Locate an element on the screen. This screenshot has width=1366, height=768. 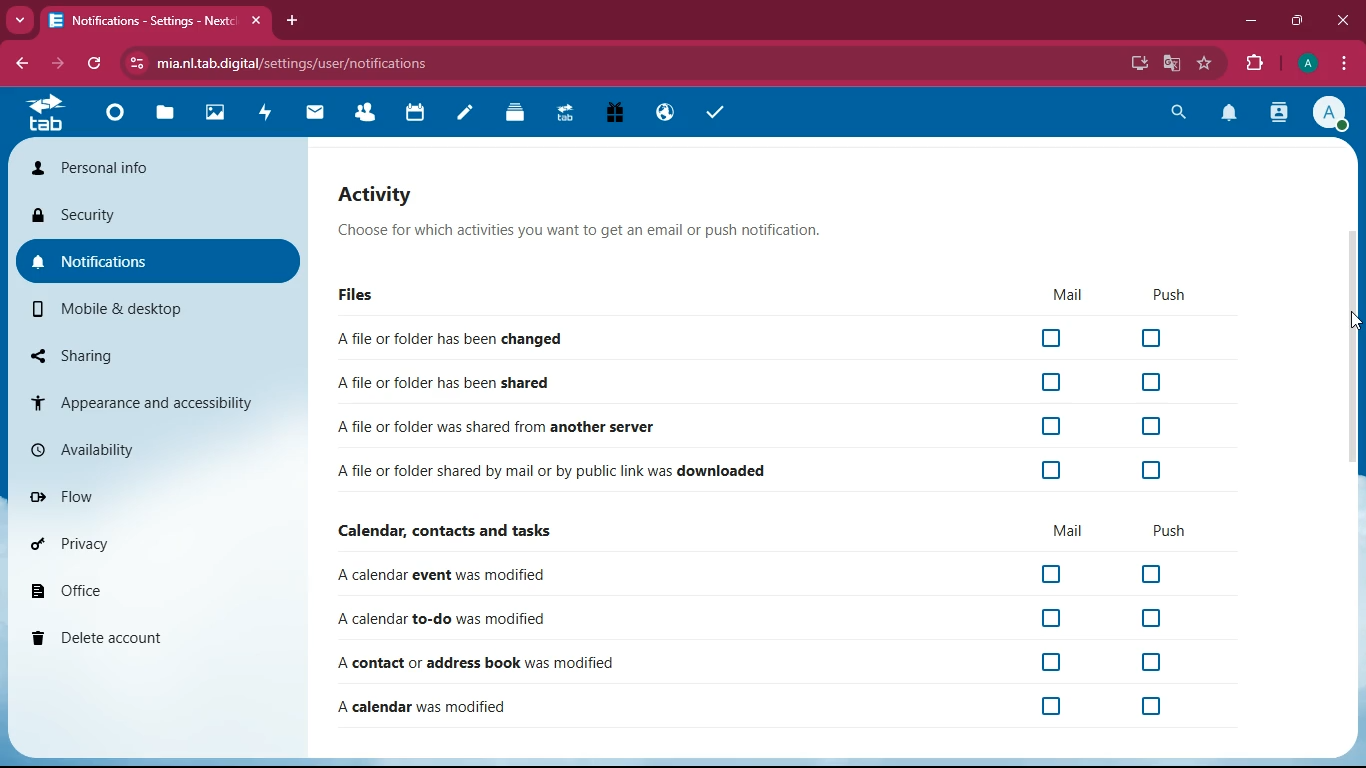
Photos is located at coordinates (216, 114).